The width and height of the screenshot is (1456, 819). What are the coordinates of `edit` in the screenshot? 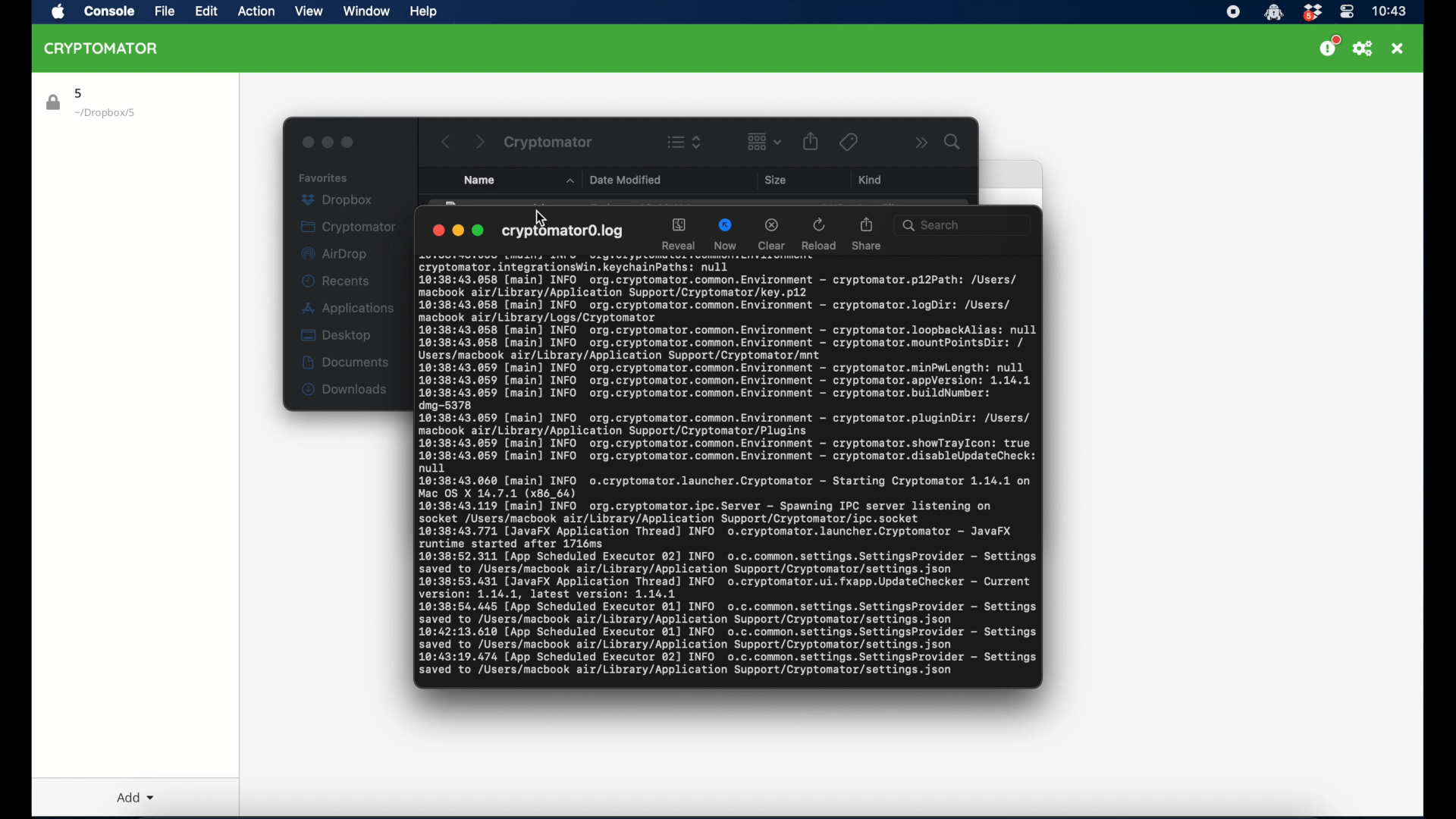 It's located at (207, 11).